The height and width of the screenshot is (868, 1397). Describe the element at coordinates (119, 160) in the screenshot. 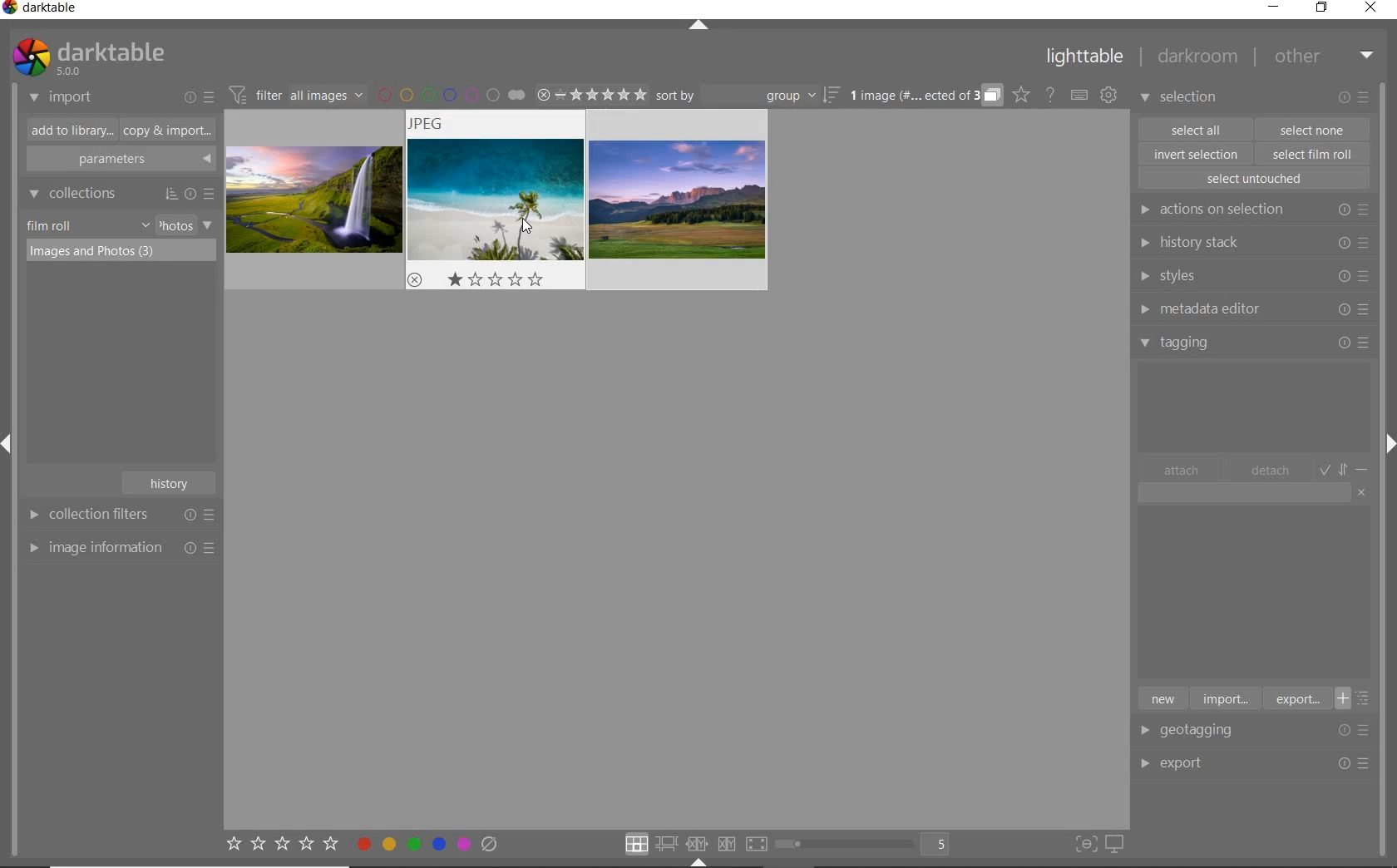

I see `parameters` at that location.